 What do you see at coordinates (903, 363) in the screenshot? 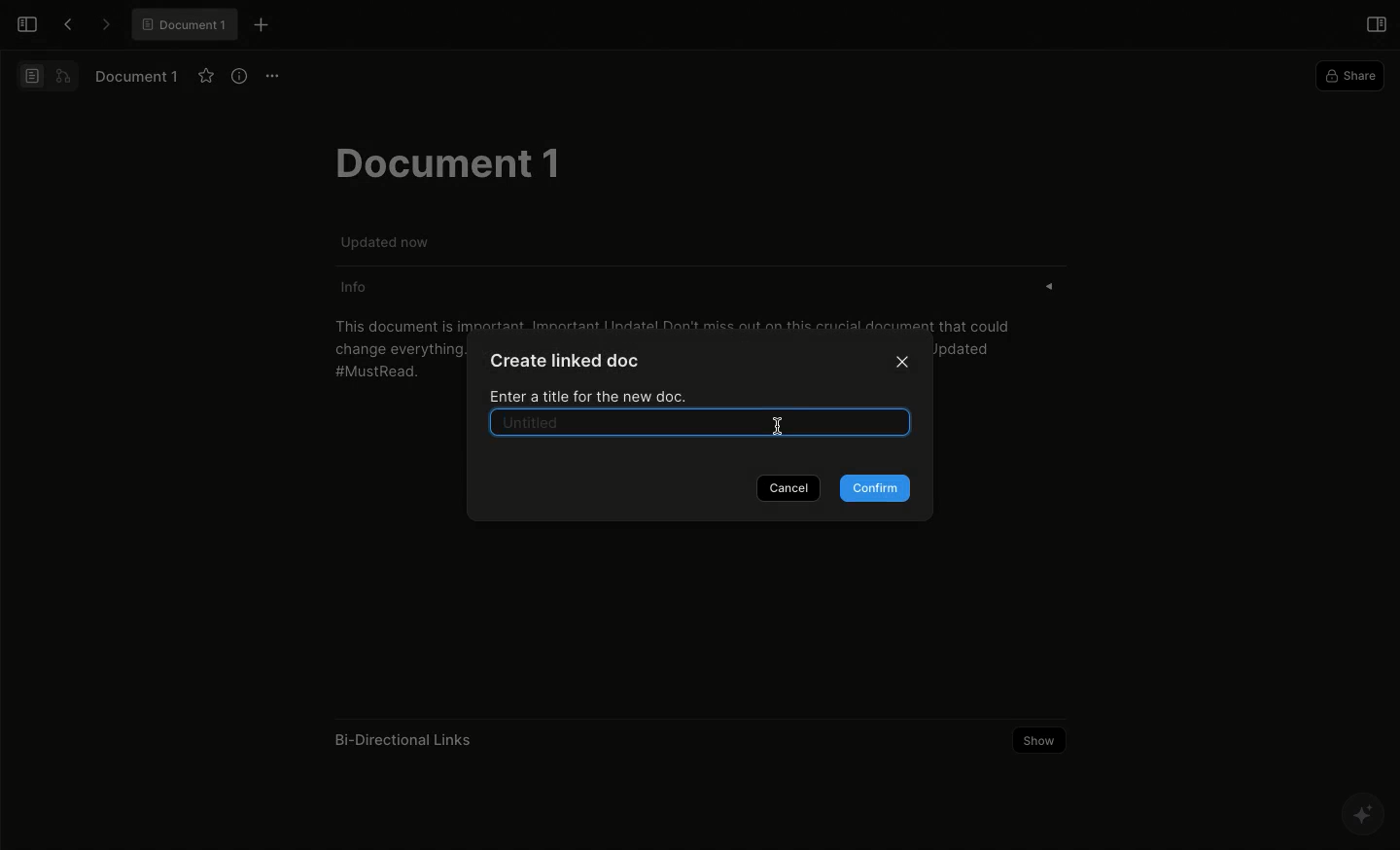
I see `Close` at bounding box center [903, 363].